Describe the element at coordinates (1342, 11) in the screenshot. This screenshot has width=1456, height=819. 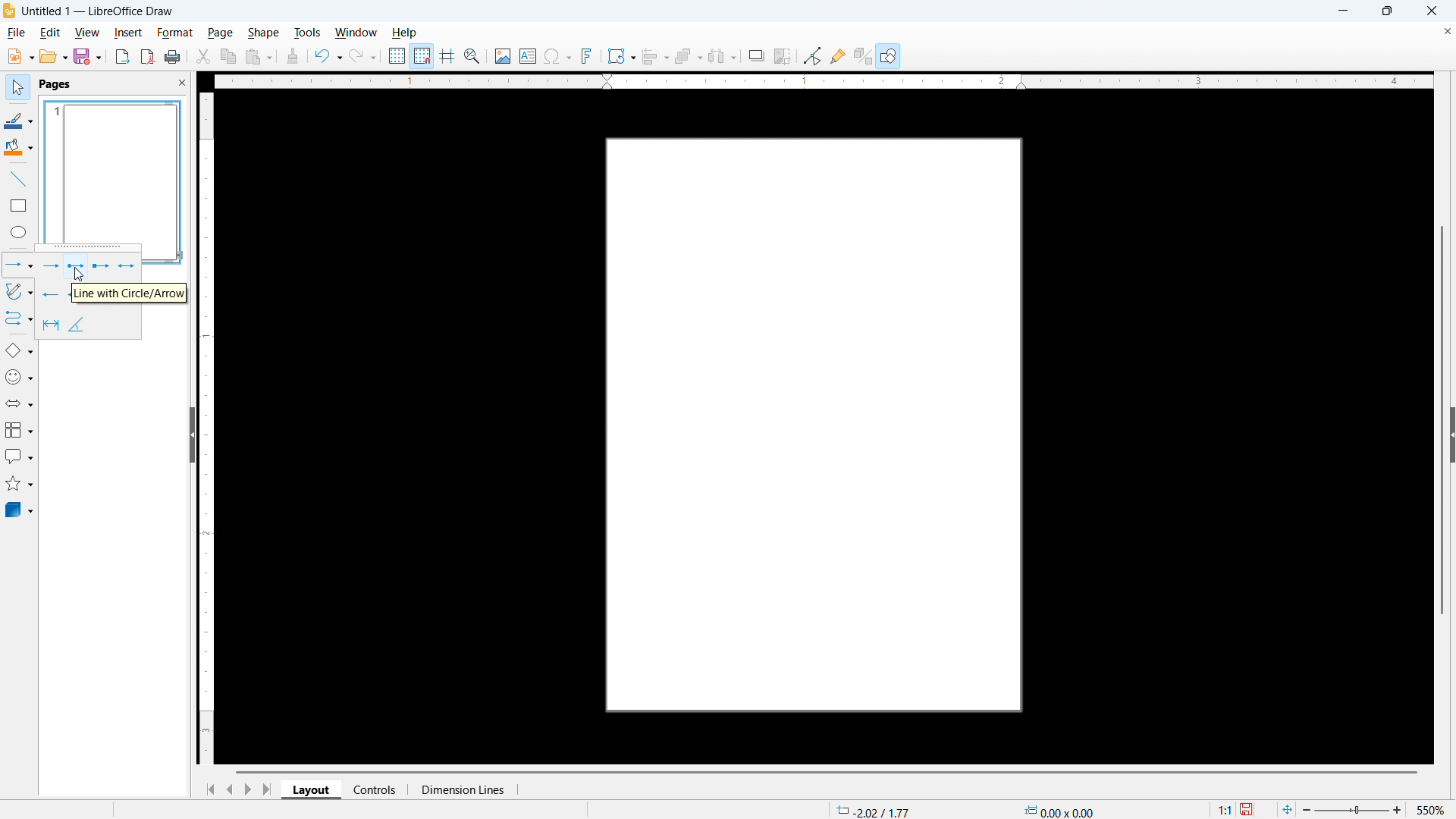
I see `minimise ` at that location.